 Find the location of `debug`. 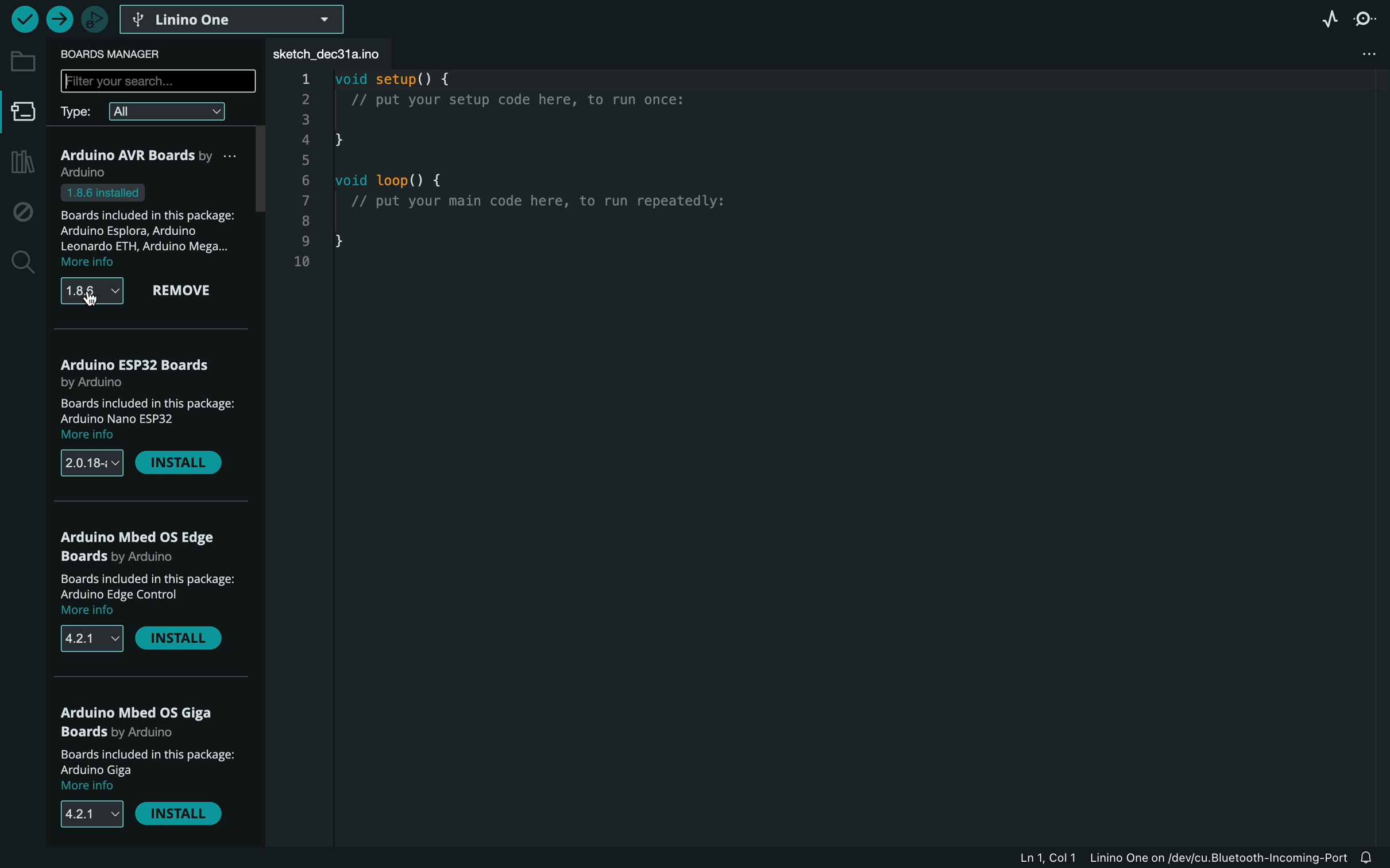

debug is located at coordinates (23, 212).